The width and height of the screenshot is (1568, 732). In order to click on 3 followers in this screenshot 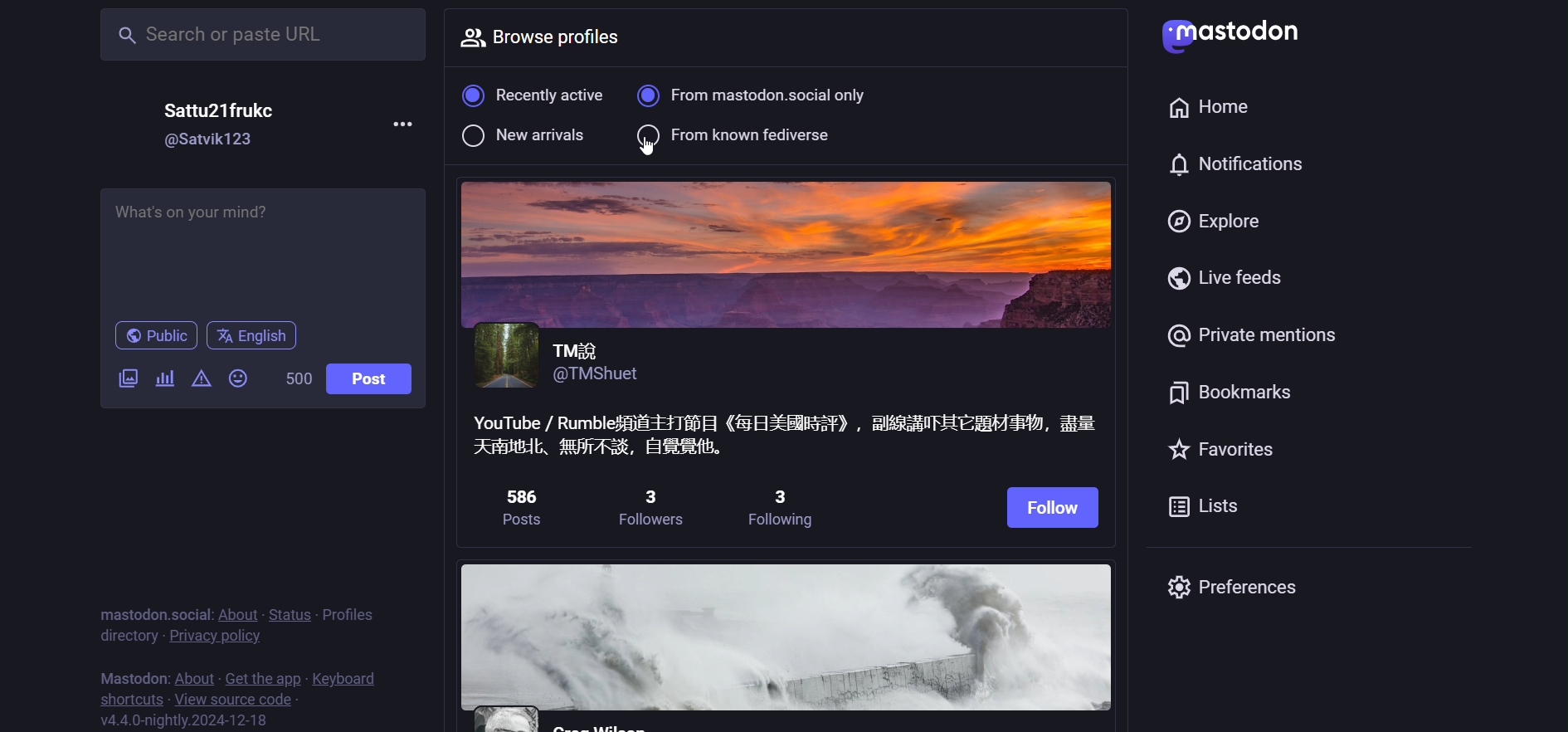, I will do `click(651, 511)`.